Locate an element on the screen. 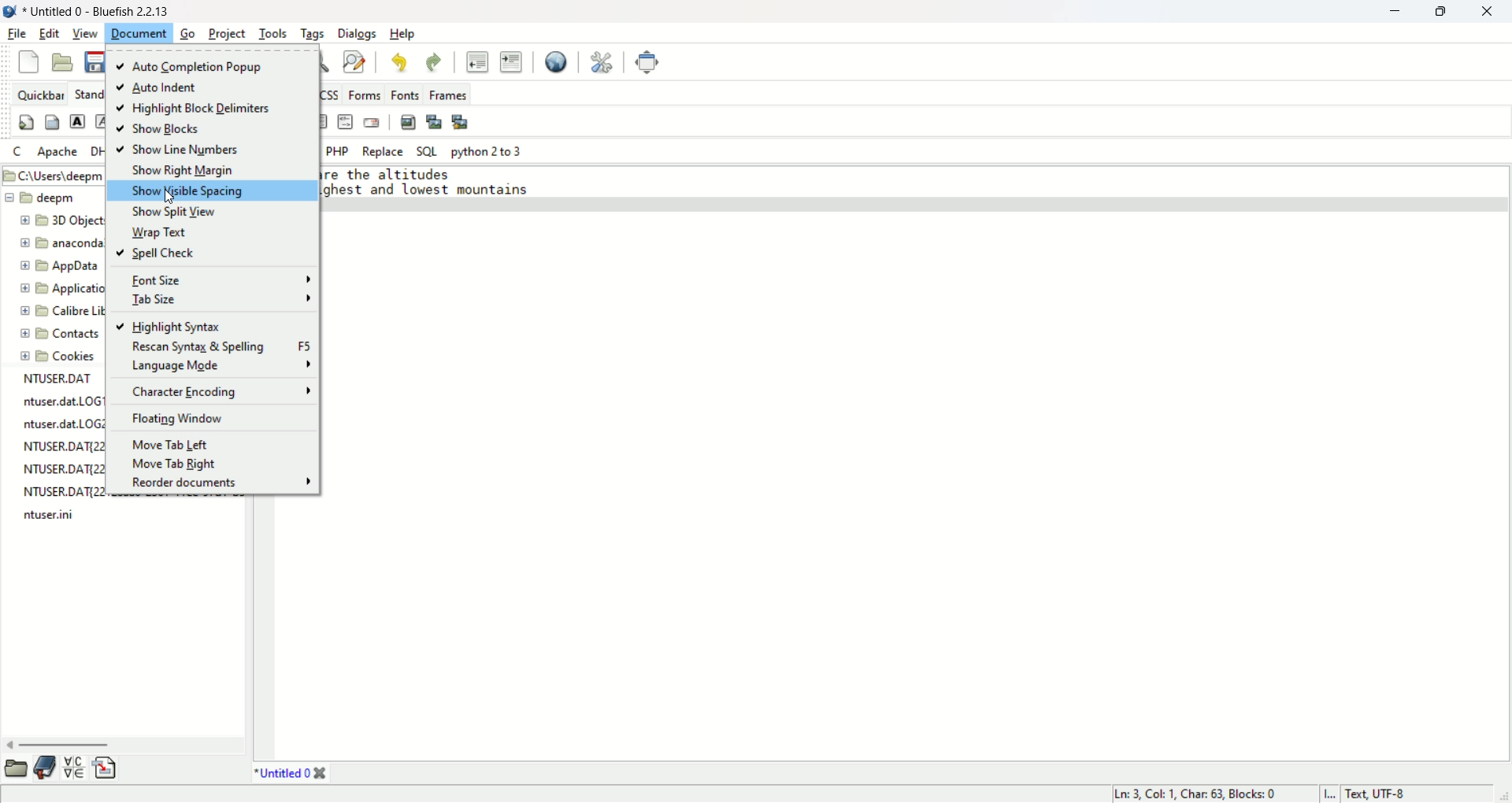 The height and width of the screenshot is (803, 1512). python 2 to 3 is located at coordinates (487, 152).